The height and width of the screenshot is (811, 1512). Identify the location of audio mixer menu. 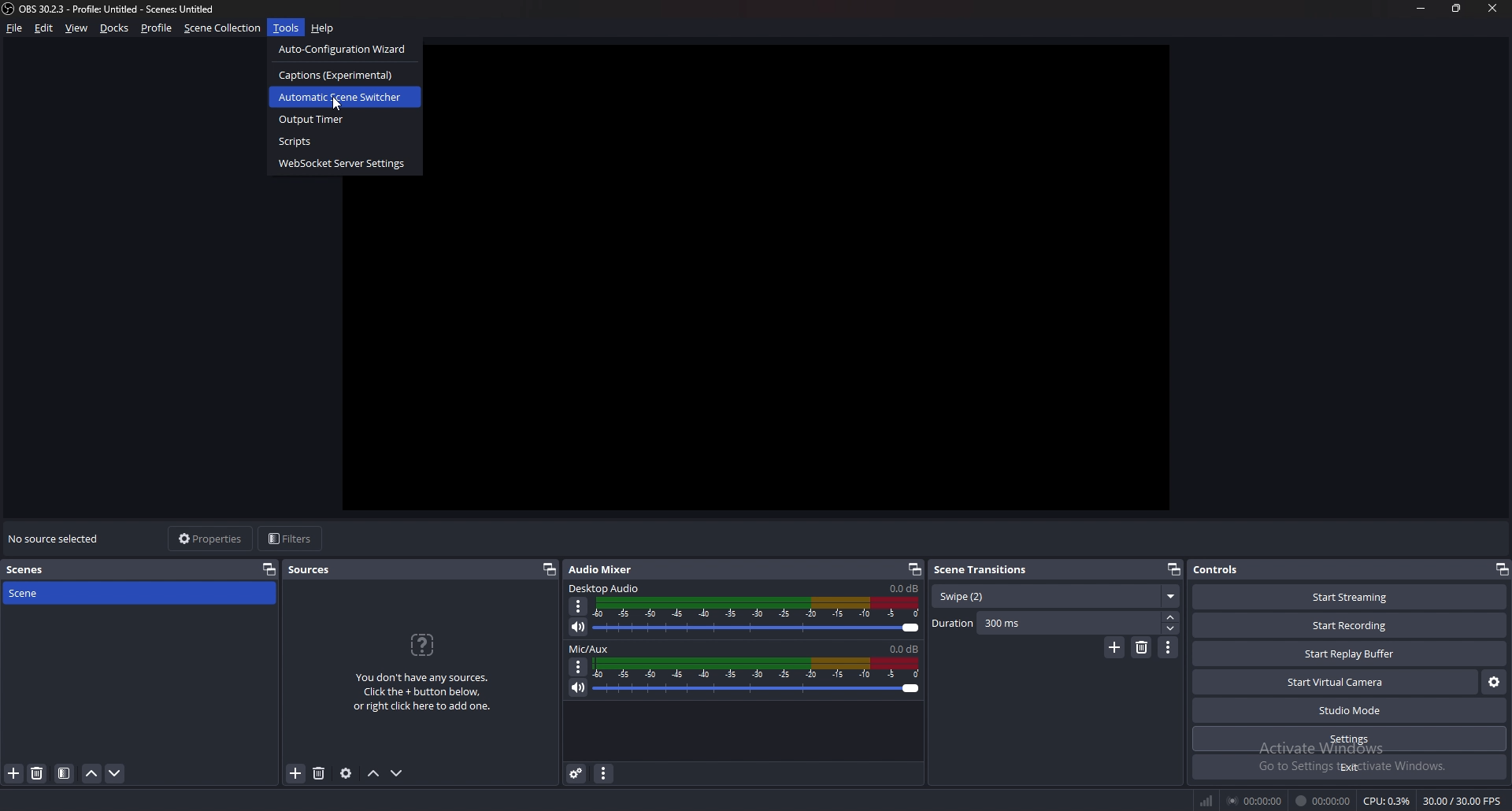
(603, 772).